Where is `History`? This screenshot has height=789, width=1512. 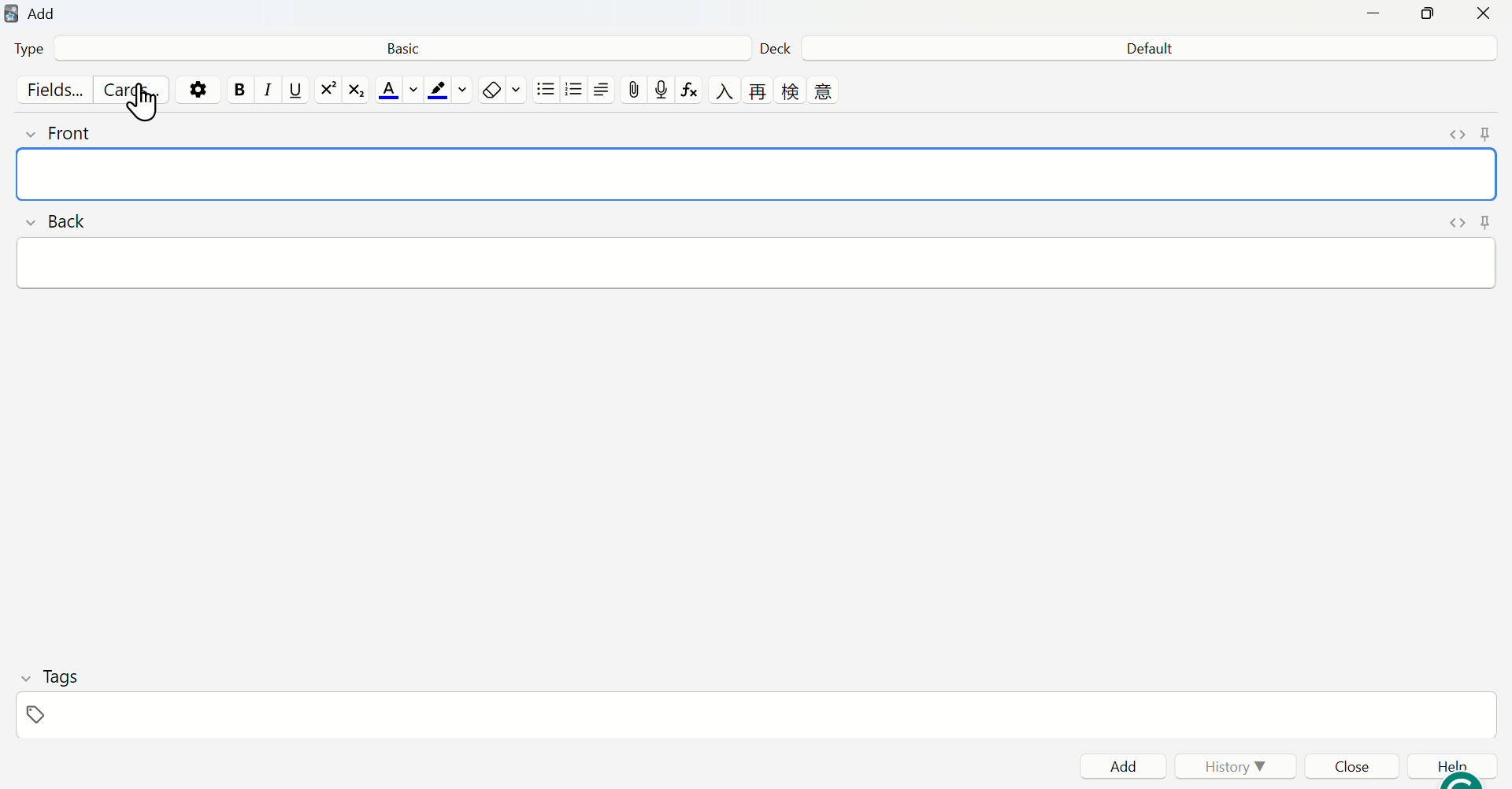
History is located at coordinates (1232, 765).